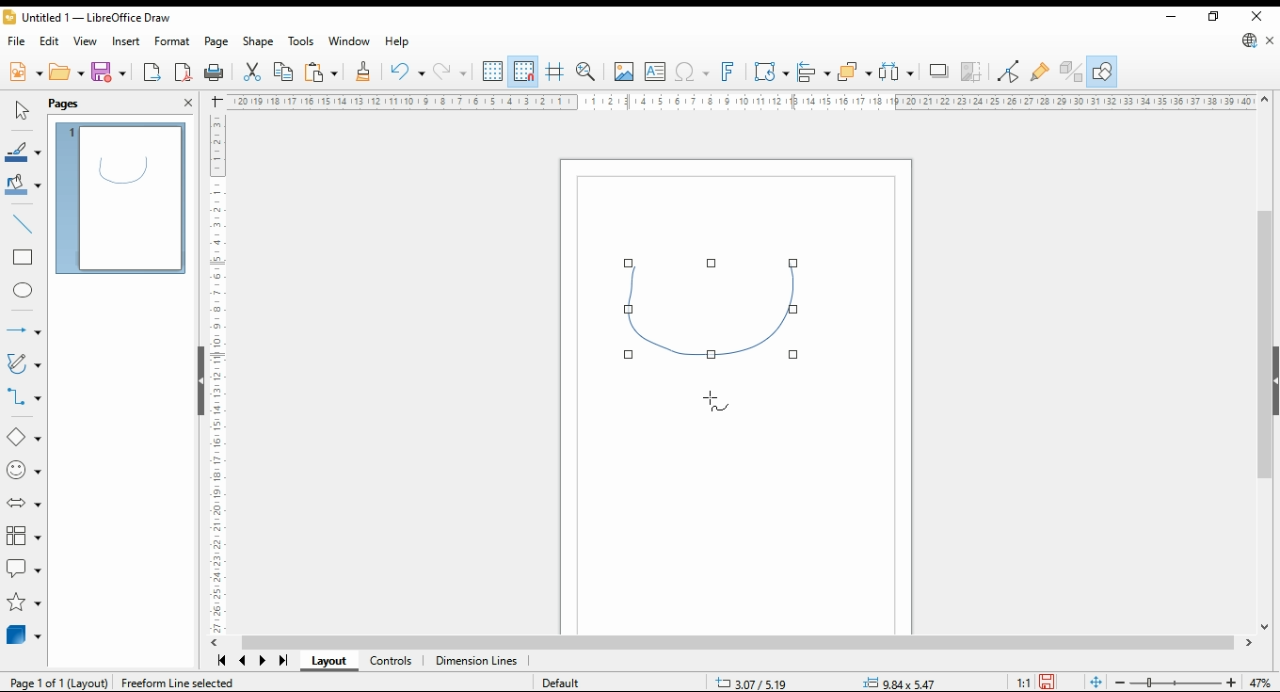 This screenshot has height=692, width=1280. What do you see at coordinates (22, 635) in the screenshot?
I see `3D objects` at bounding box center [22, 635].